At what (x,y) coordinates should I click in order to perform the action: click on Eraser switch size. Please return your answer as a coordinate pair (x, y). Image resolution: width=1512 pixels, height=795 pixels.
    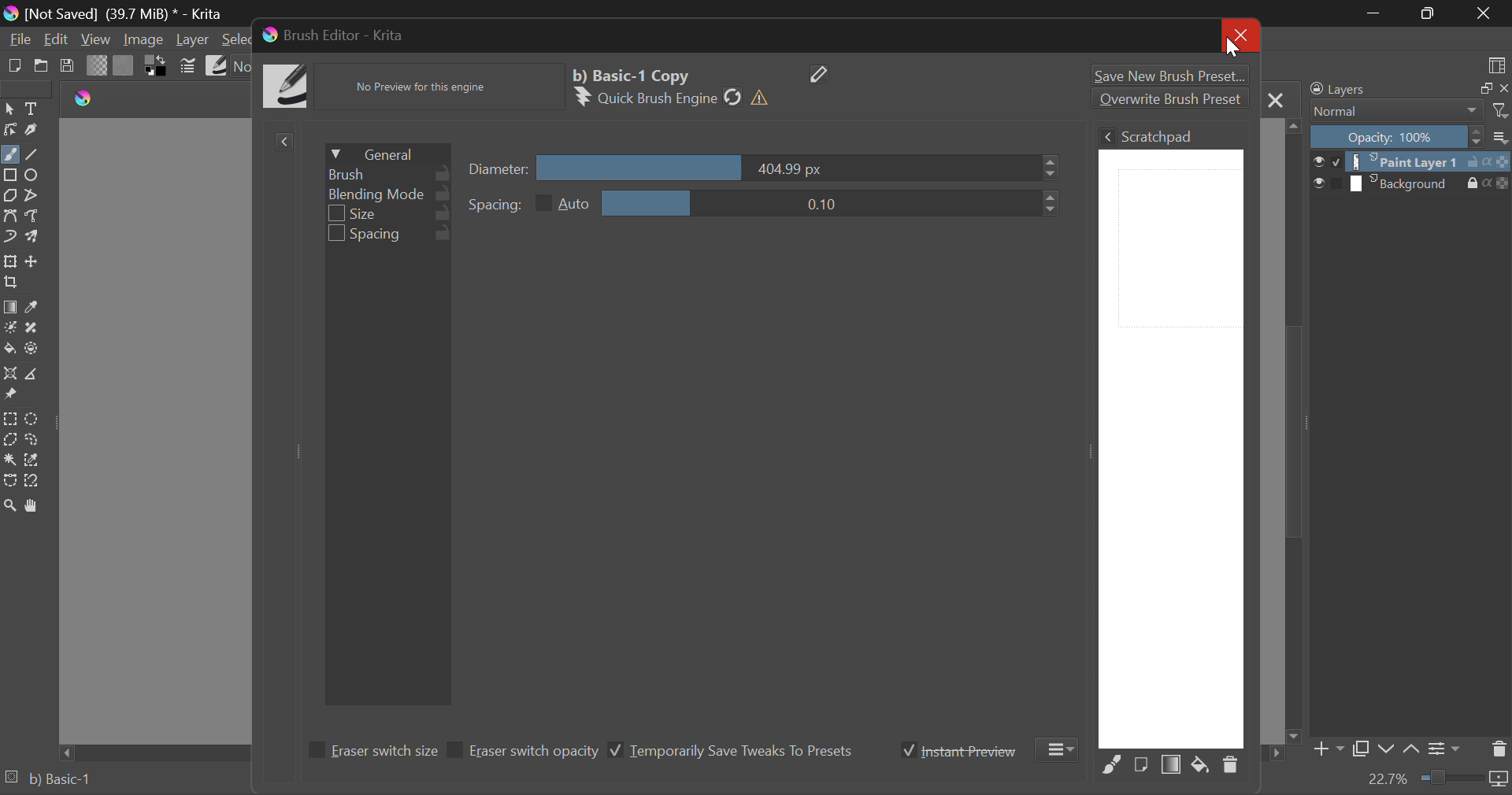
    Looking at the image, I should click on (370, 752).